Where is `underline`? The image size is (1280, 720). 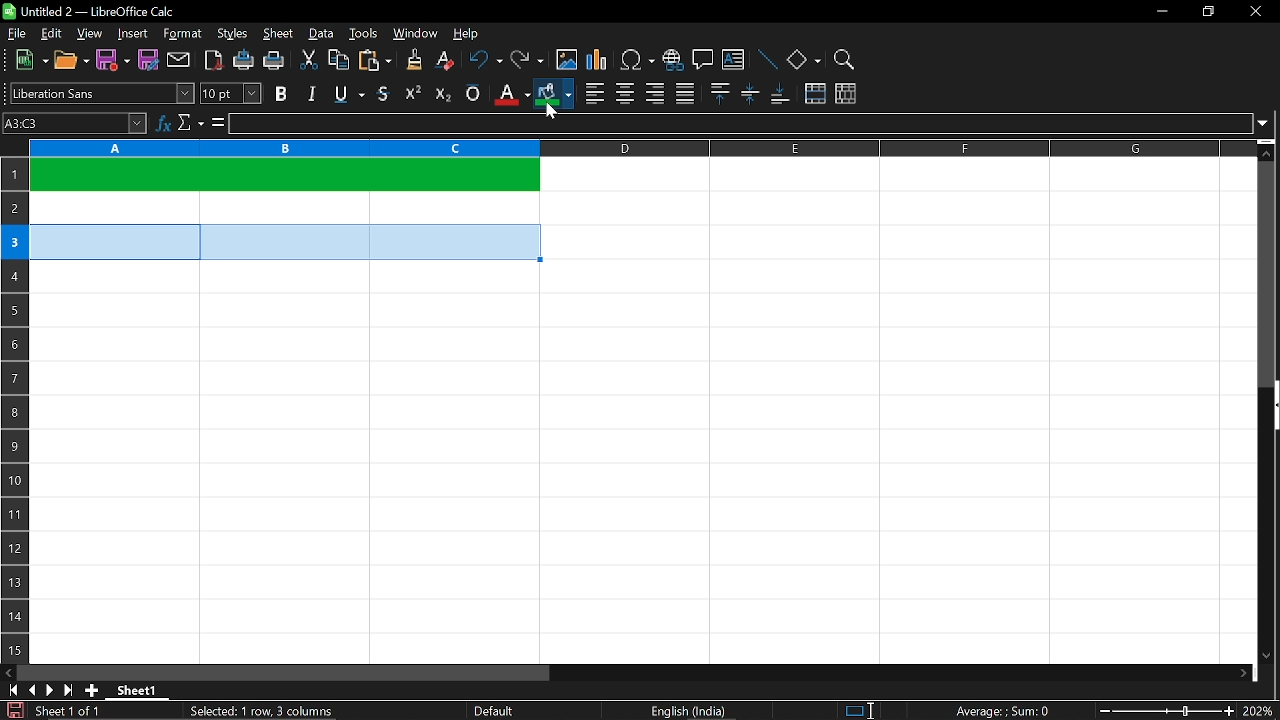
underline is located at coordinates (346, 94).